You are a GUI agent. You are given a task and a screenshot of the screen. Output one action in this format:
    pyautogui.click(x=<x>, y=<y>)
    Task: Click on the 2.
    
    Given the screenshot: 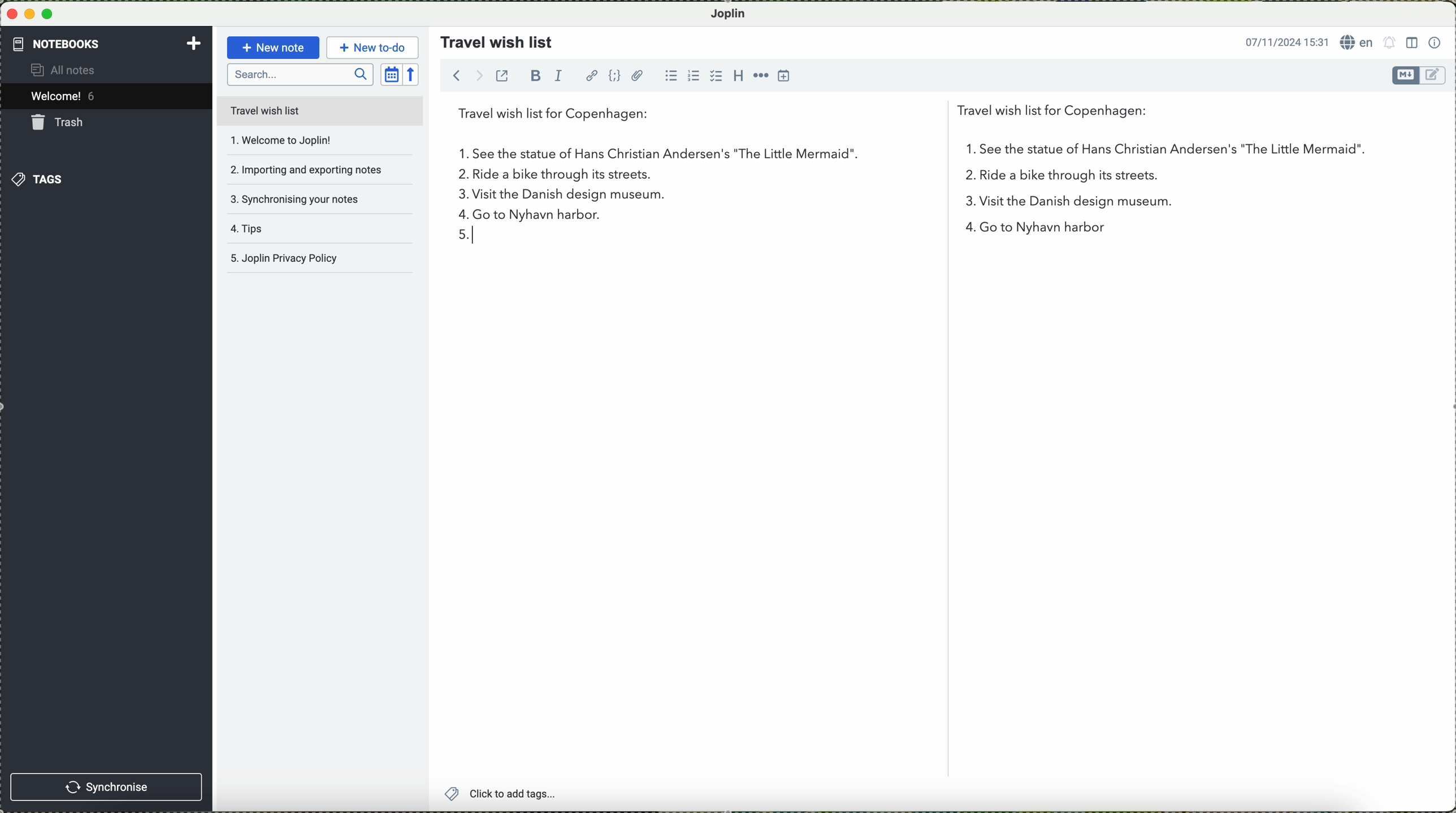 What is the action you would take?
    pyautogui.click(x=458, y=178)
    